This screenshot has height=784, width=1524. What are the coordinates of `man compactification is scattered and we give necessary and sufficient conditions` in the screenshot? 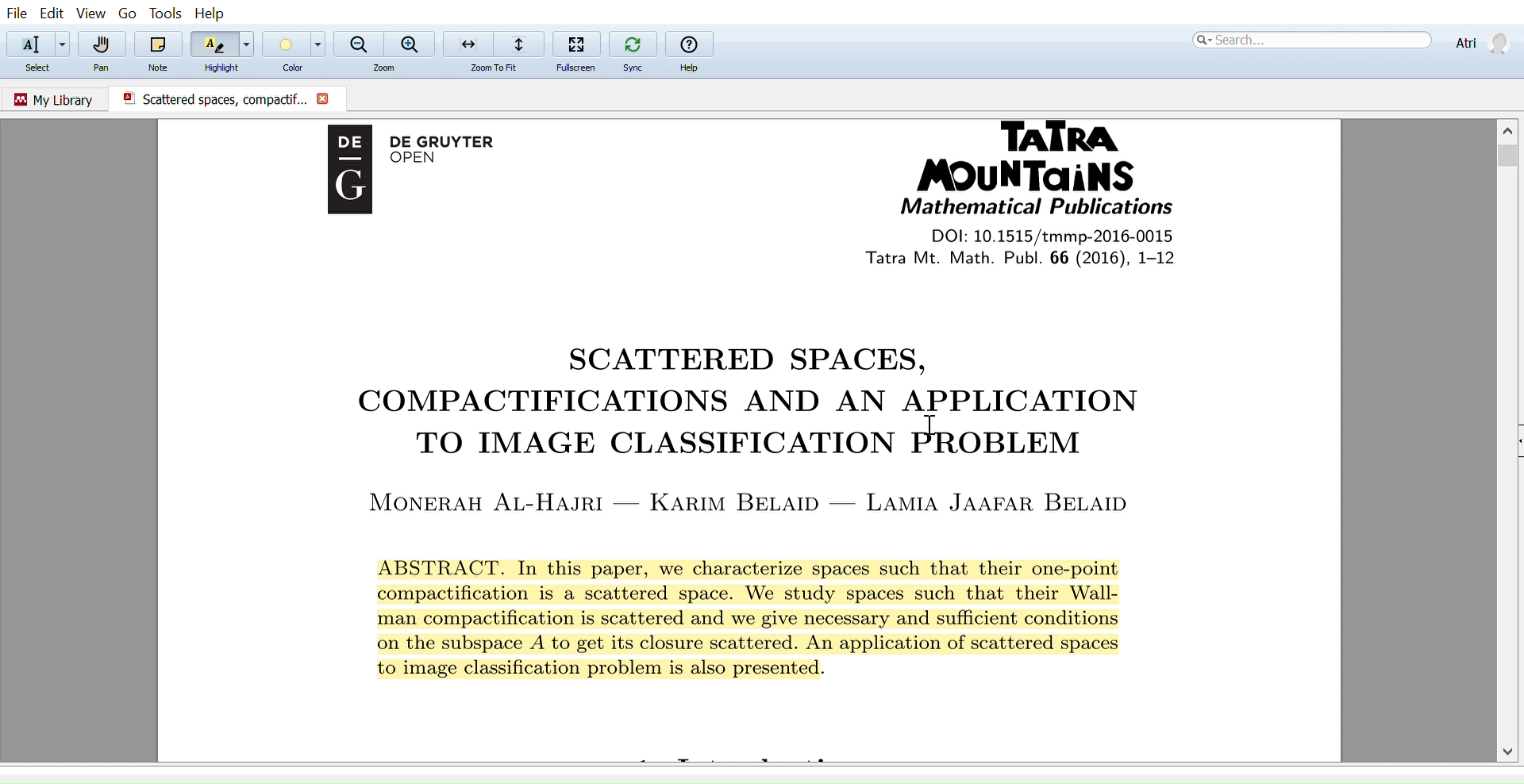 It's located at (768, 621).